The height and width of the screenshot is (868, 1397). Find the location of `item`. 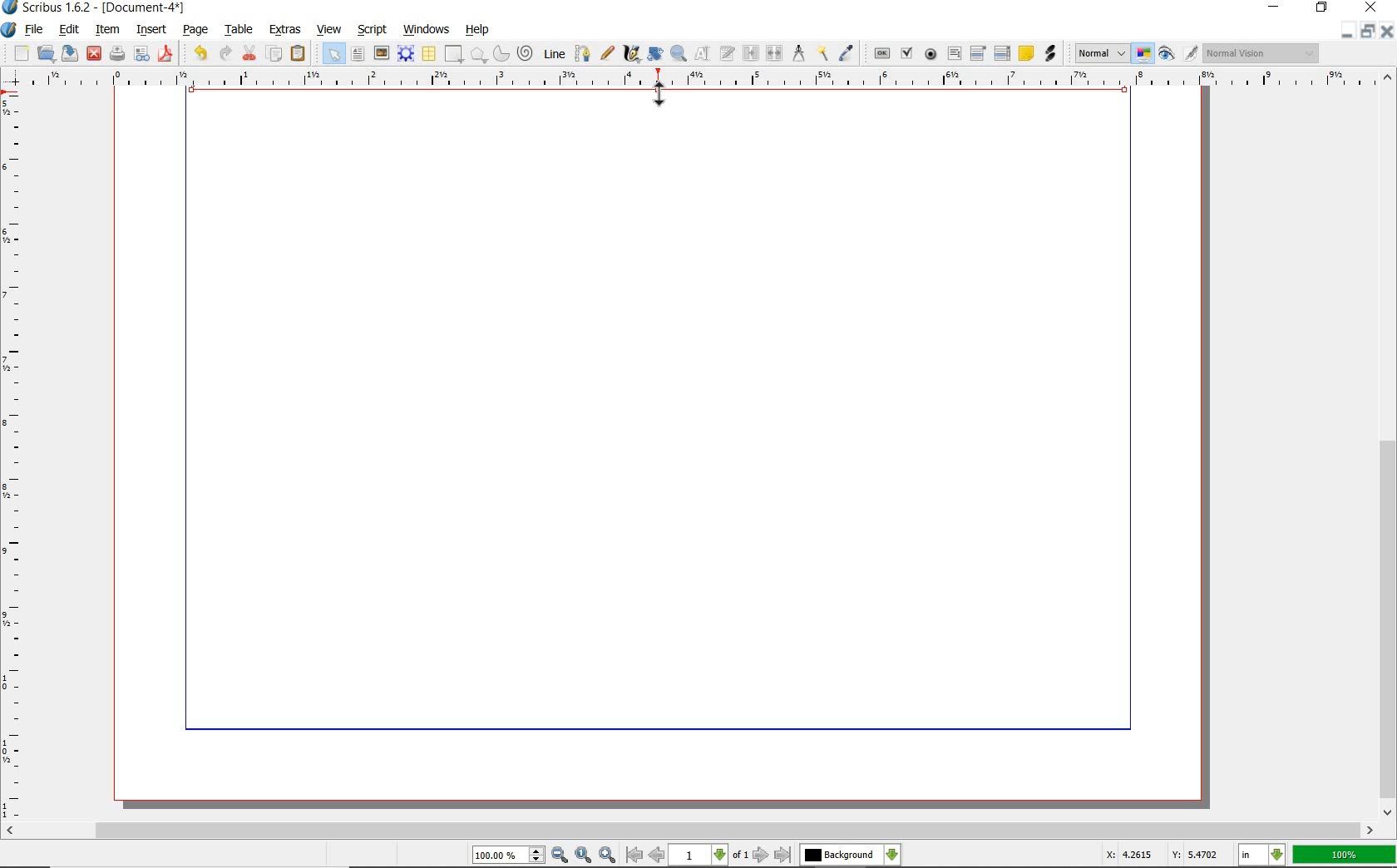

item is located at coordinates (106, 29).